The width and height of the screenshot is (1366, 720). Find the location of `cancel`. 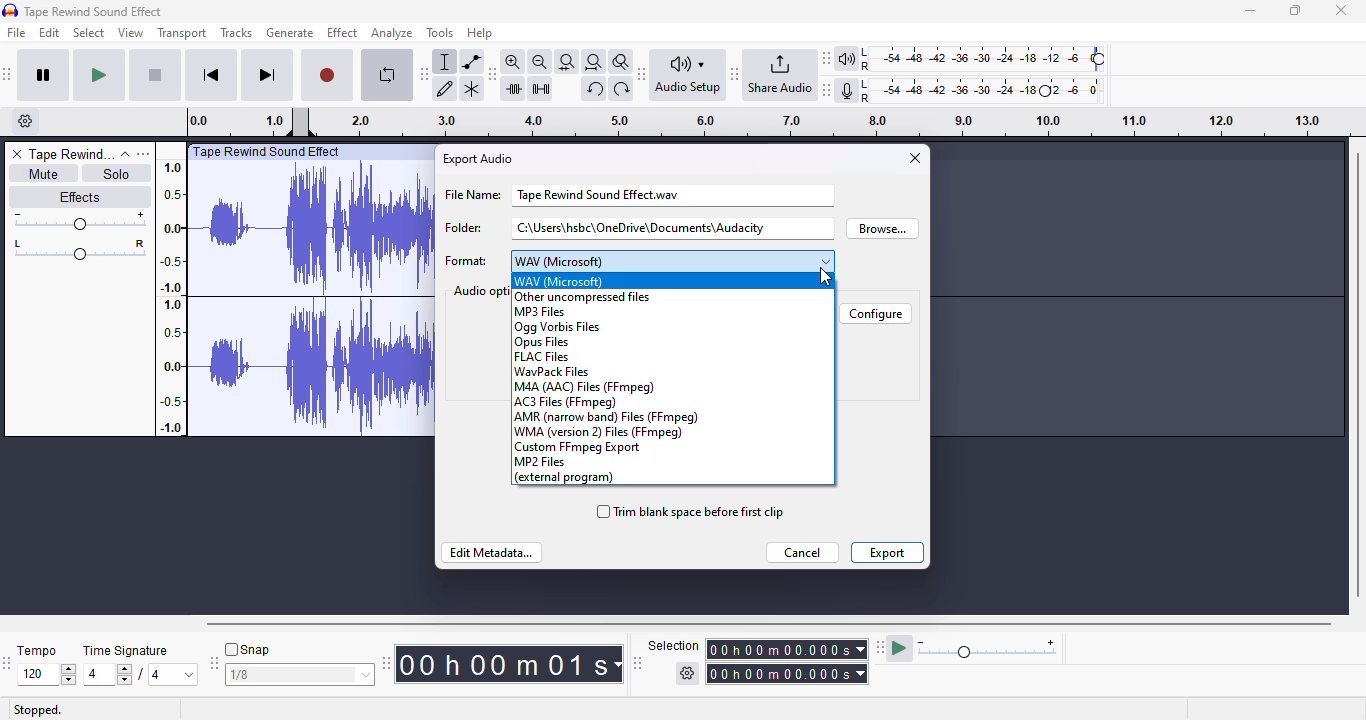

cancel is located at coordinates (804, 553).